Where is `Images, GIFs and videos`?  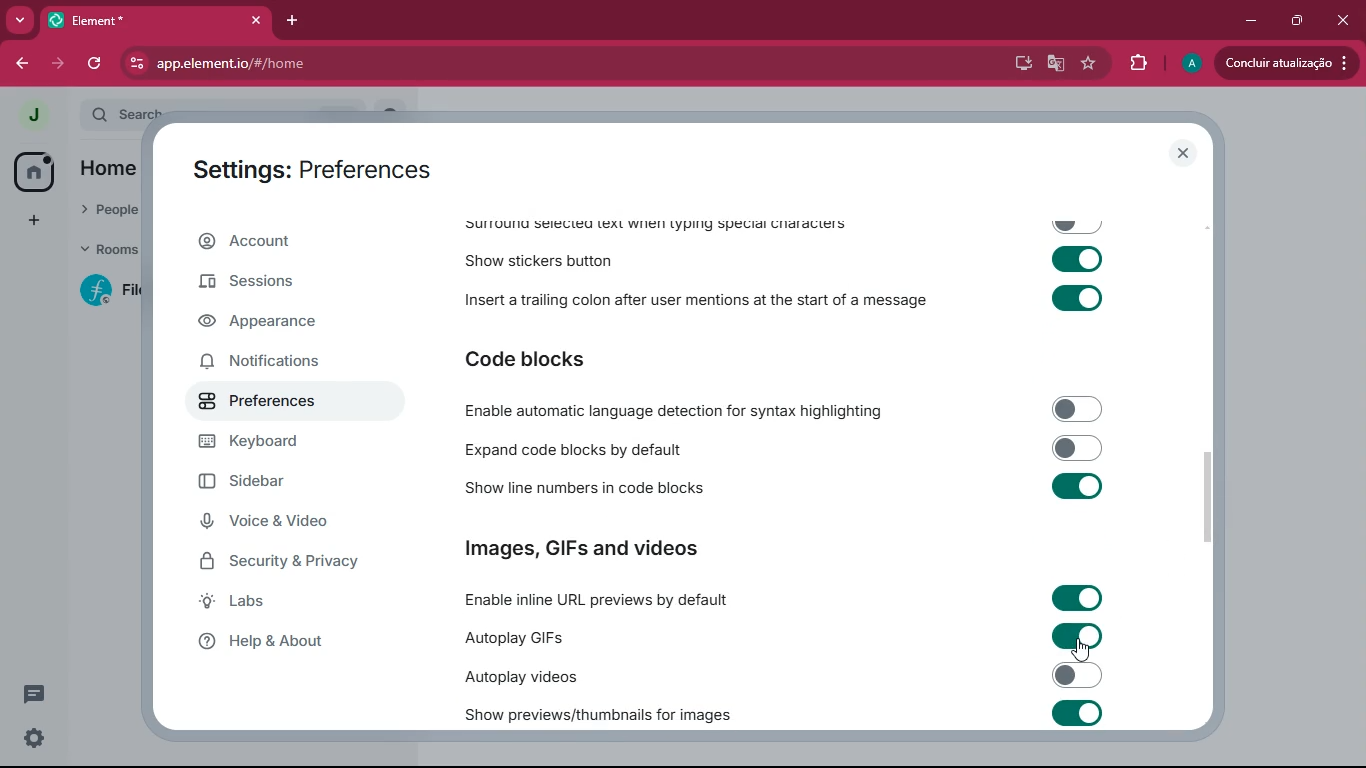
Images, GIFs and videos is located at coordinates (591, 549).